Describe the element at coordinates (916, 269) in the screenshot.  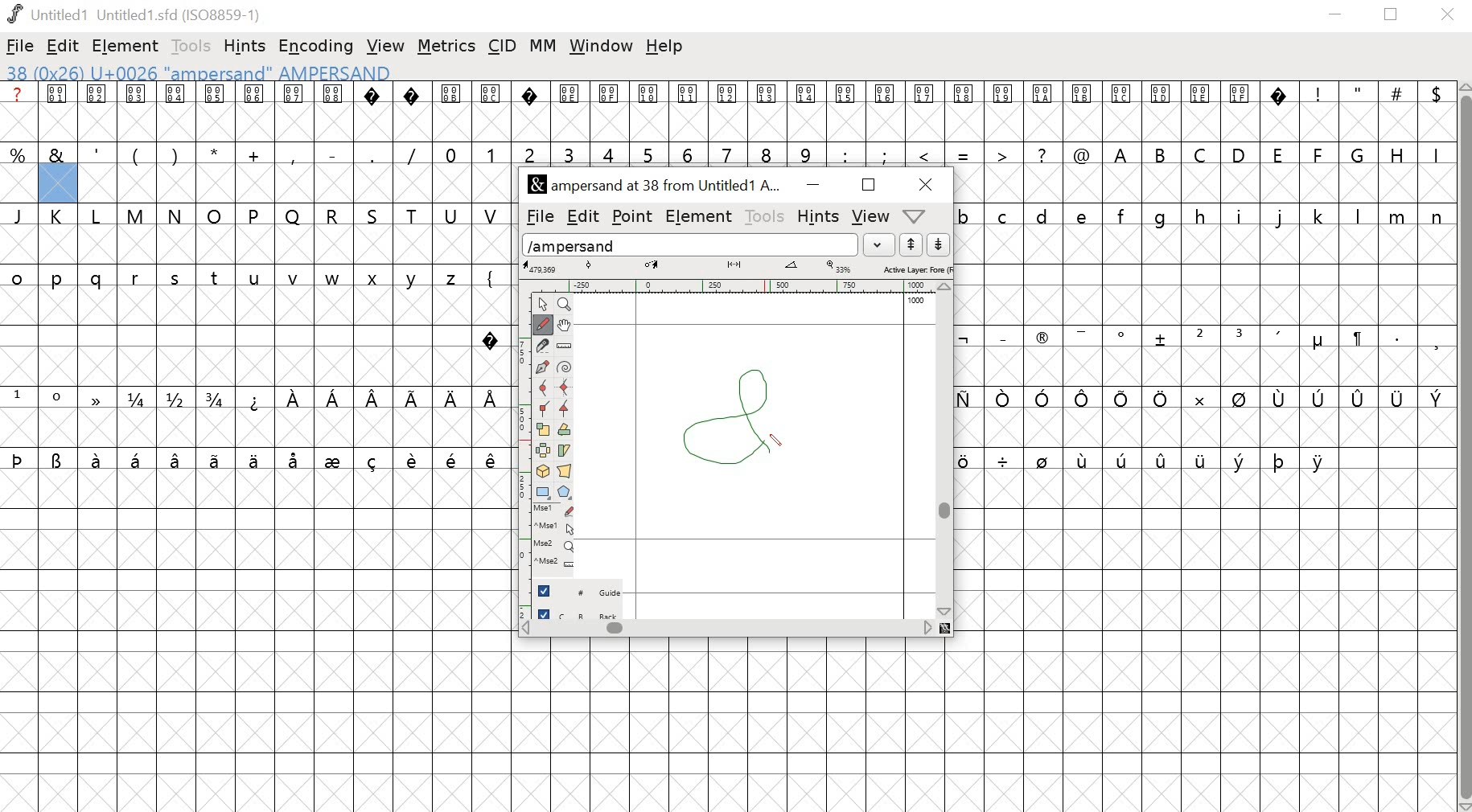
I see `active layer` at that location.